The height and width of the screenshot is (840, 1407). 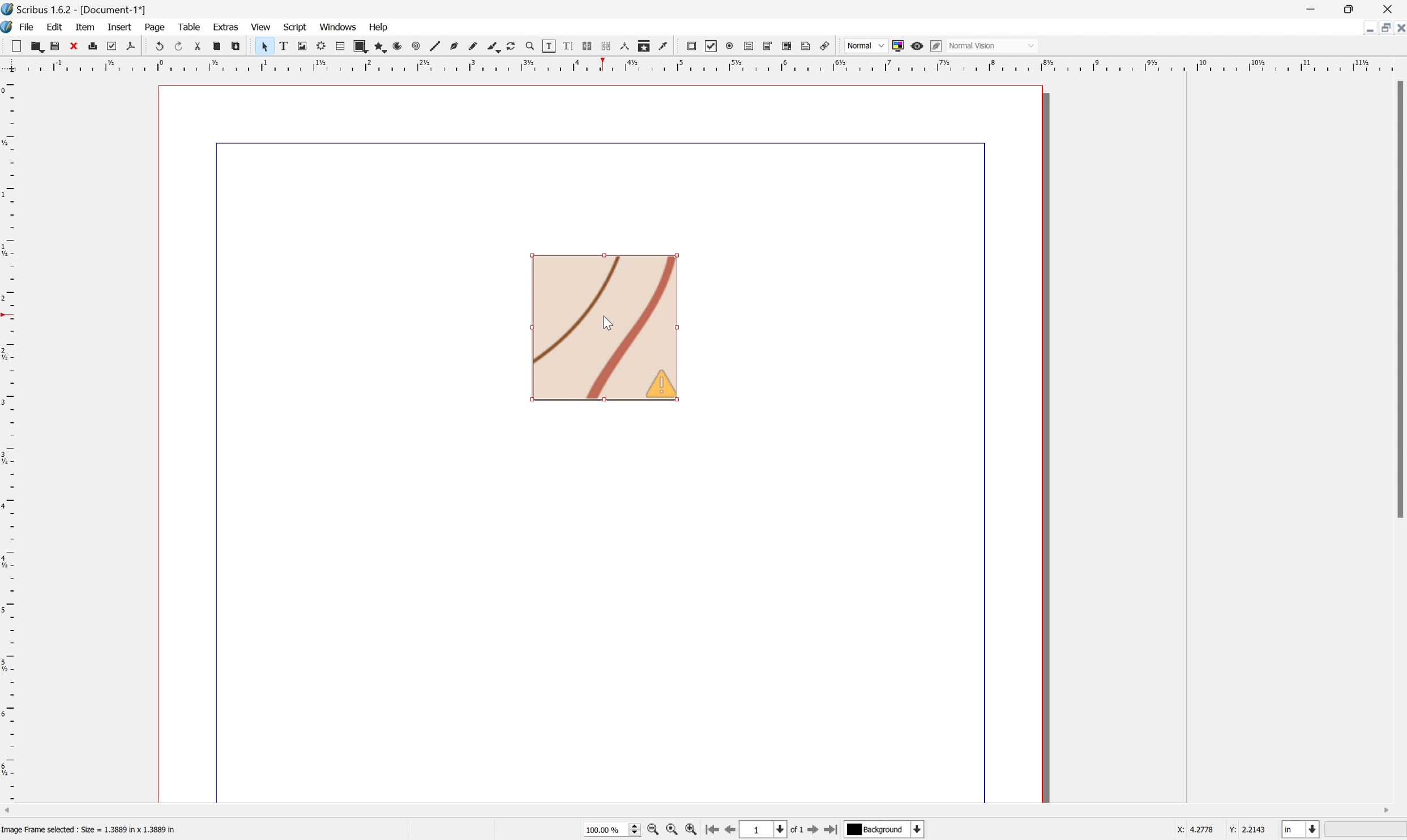 I want to click on Image frame, so click(x=301, y=44).